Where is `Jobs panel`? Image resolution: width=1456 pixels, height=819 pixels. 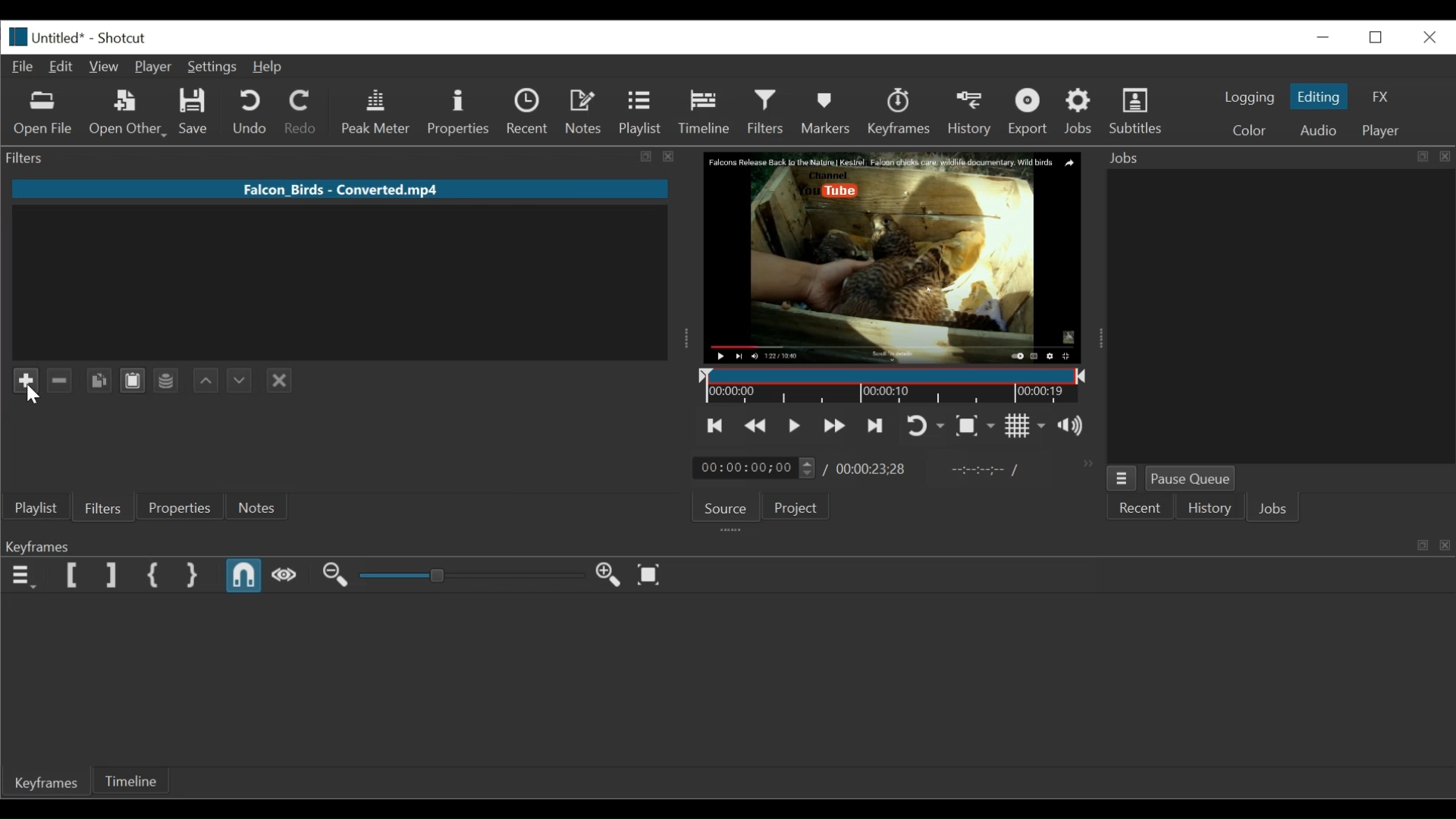
Jobs panel is located at coordinates (1280, 317).